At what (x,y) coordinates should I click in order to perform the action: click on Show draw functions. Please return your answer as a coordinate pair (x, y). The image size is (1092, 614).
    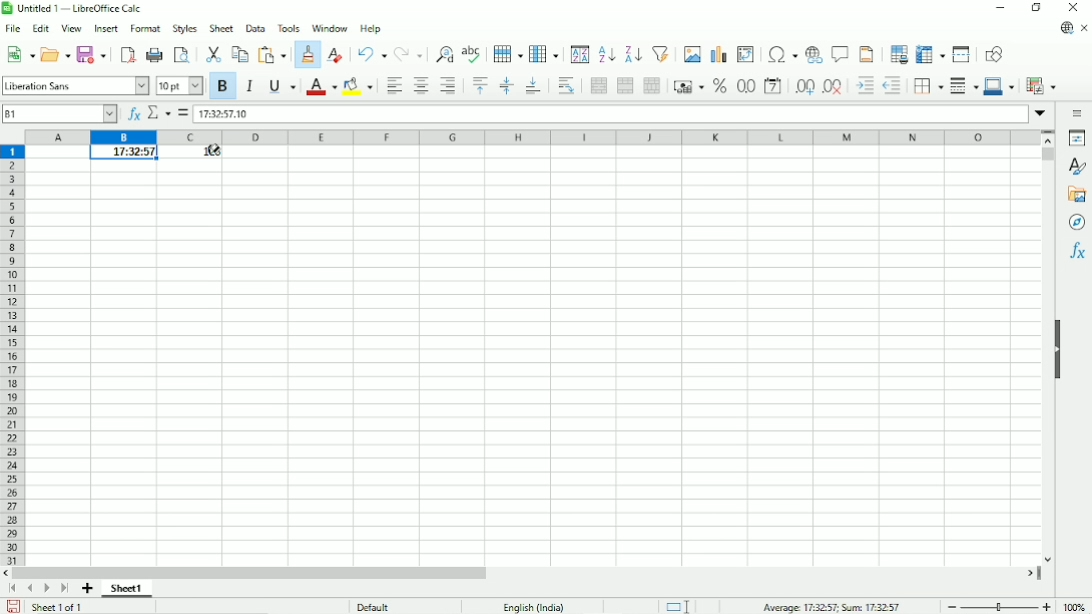
    Looking at the image, I should click on (994, 54).